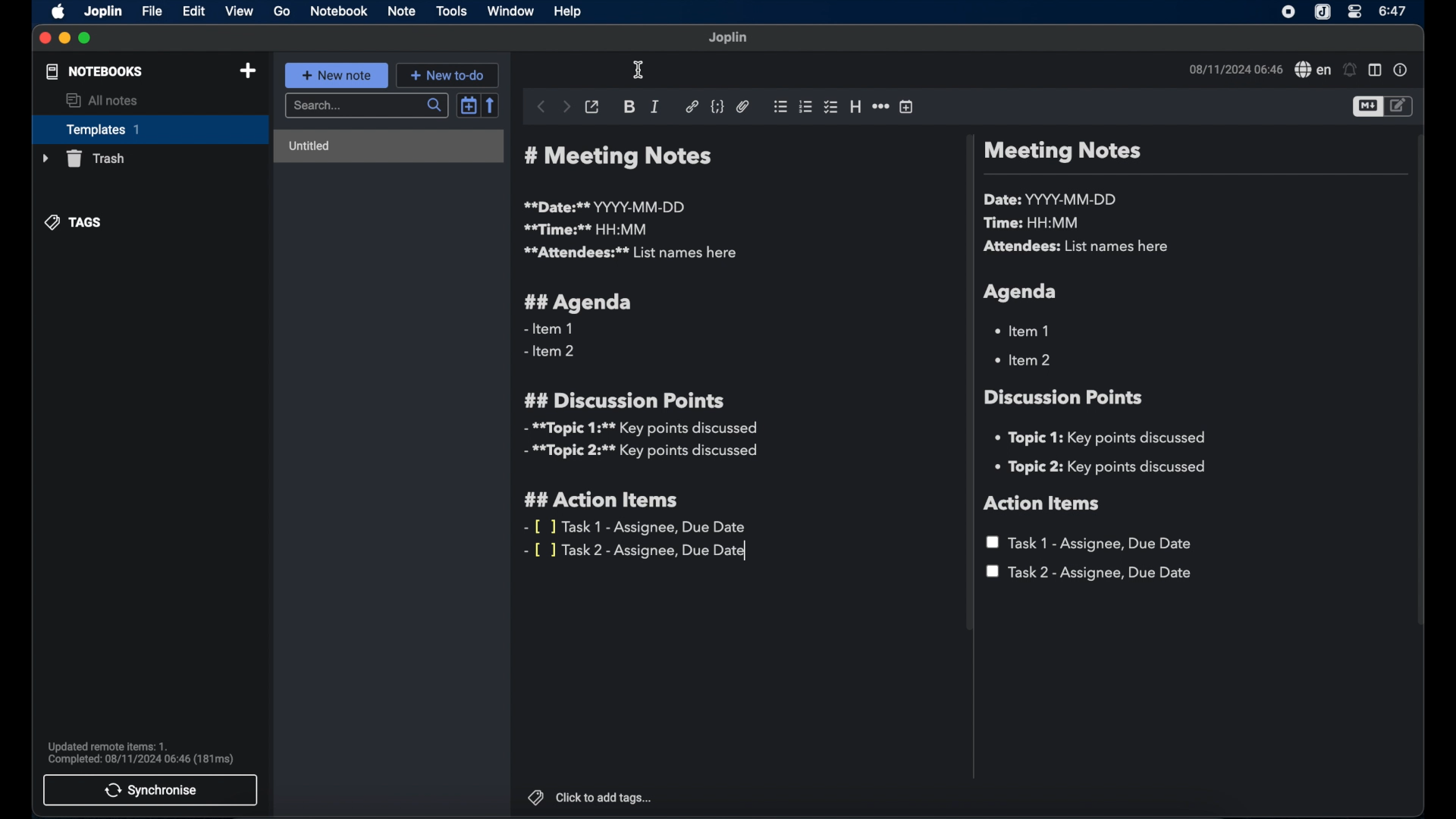 The height and width of the screenshot is (819, 1456). What do you see at coordinates (642, 453) in the screenshot?
I see `- **topic 2:** key points discussed` at bounding box center [642, 453].